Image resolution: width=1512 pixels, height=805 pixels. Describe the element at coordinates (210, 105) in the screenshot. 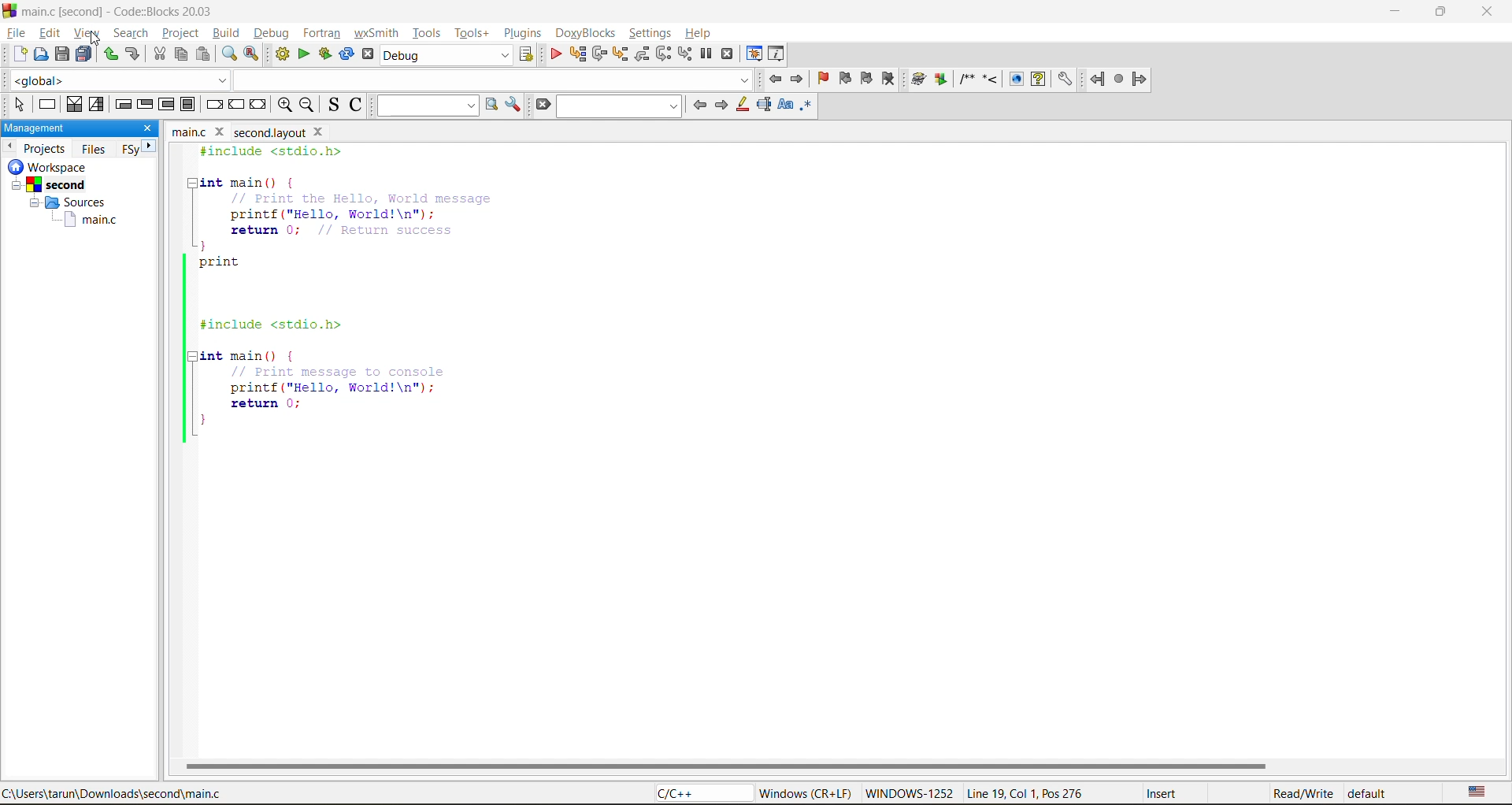

I see `break instruction` at that location.